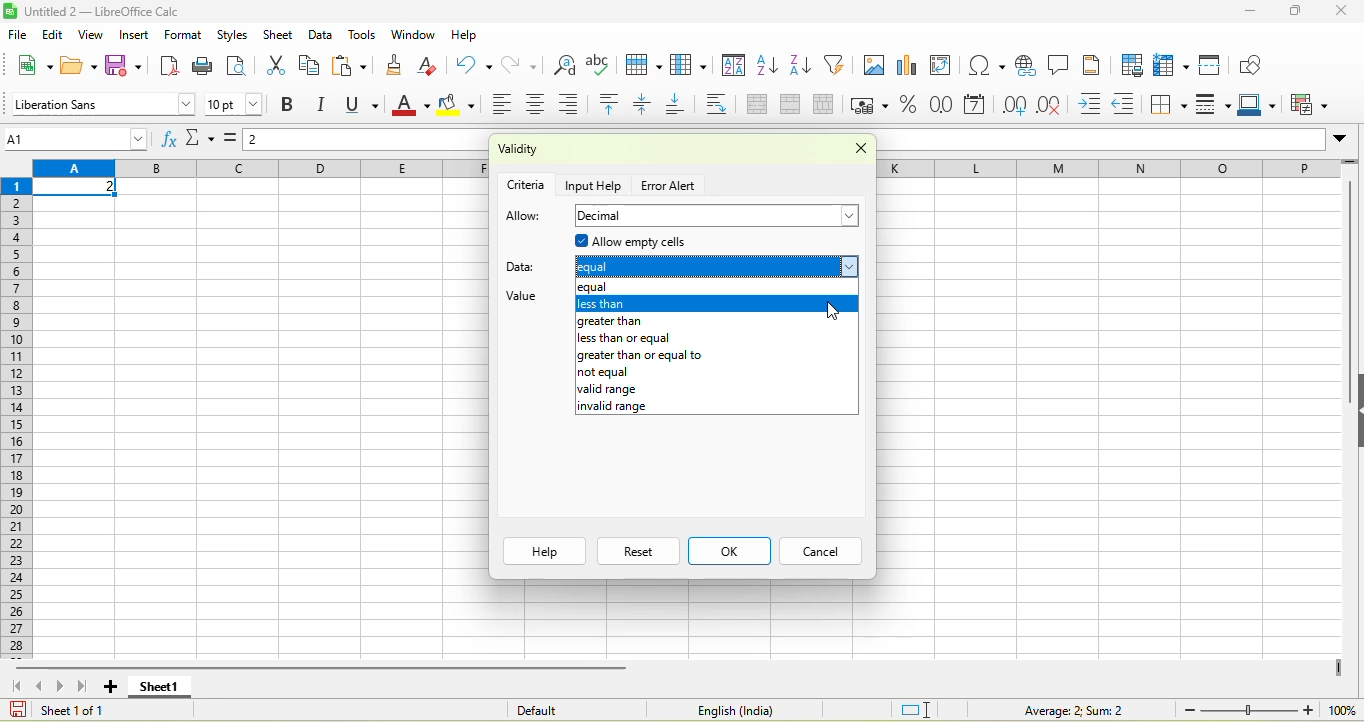 This screenshot has width=1364, height=722. I want to click on conditional, so click(1312, 104).